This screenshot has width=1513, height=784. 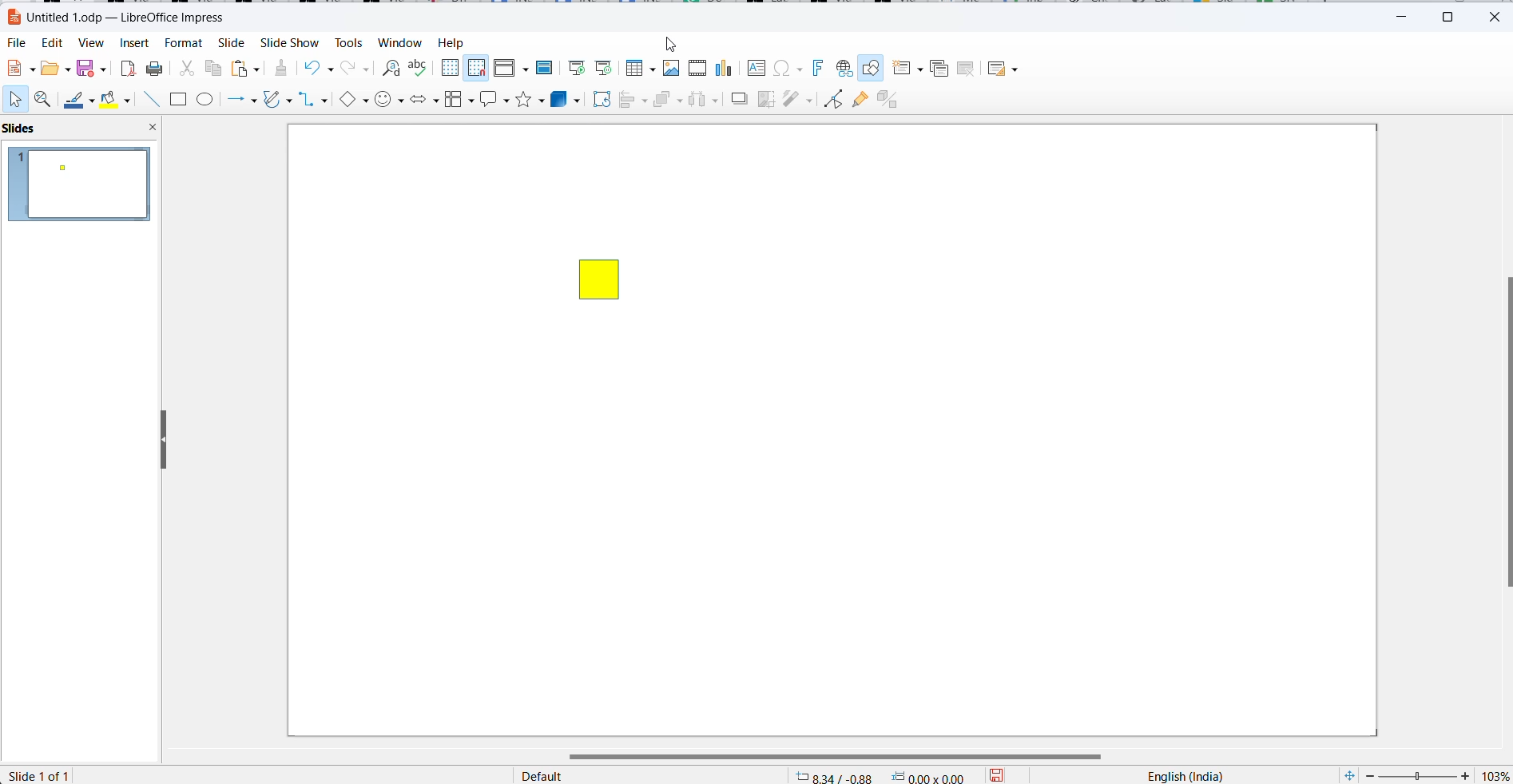 What do you see at coordinates (859, 101) in the screenshot?
I see `show glue point function` at bounding box center [859, 101].